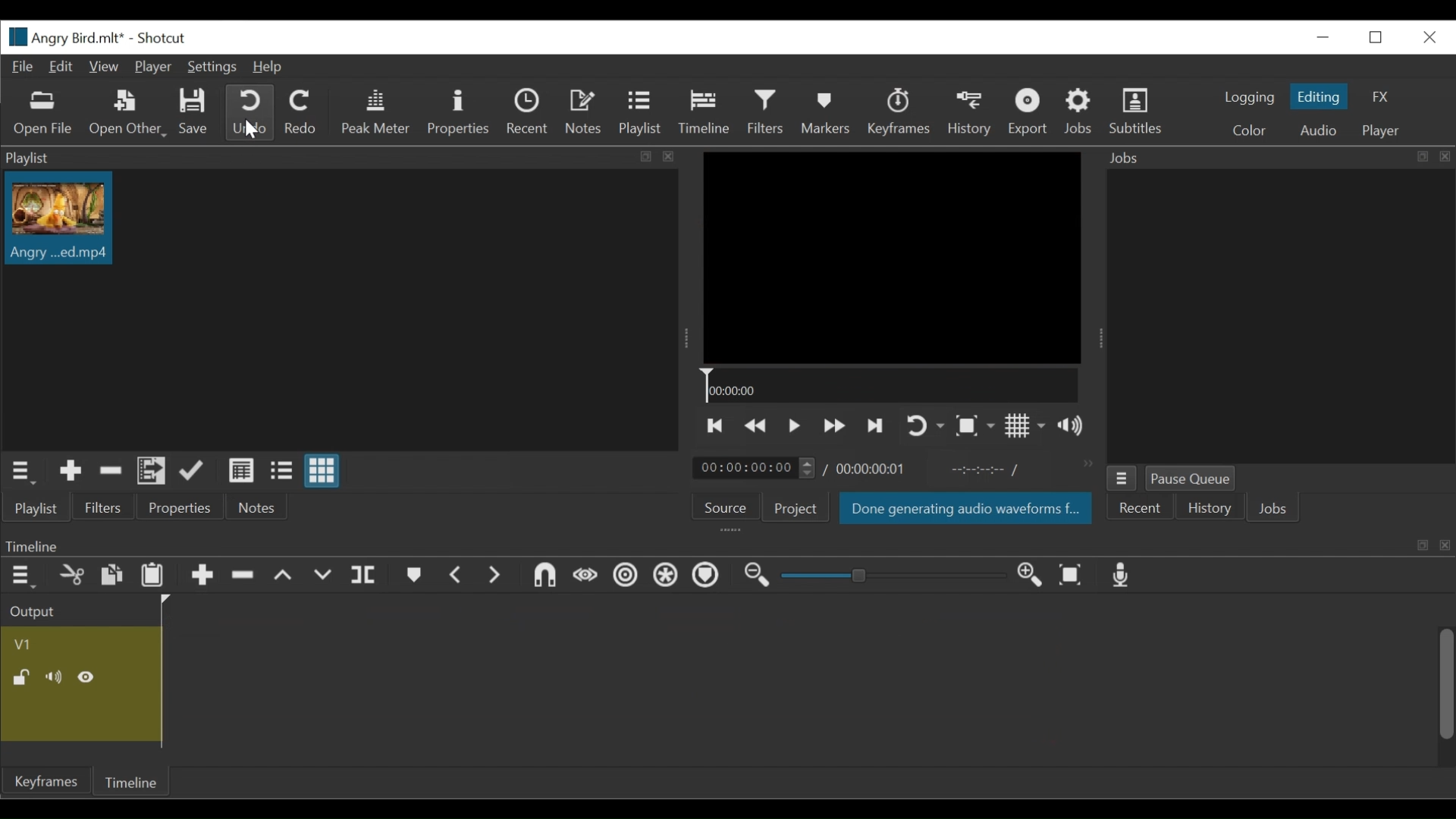  Describe the element at coordinates (103, 67) in the screenshot. I see `View` at that location.